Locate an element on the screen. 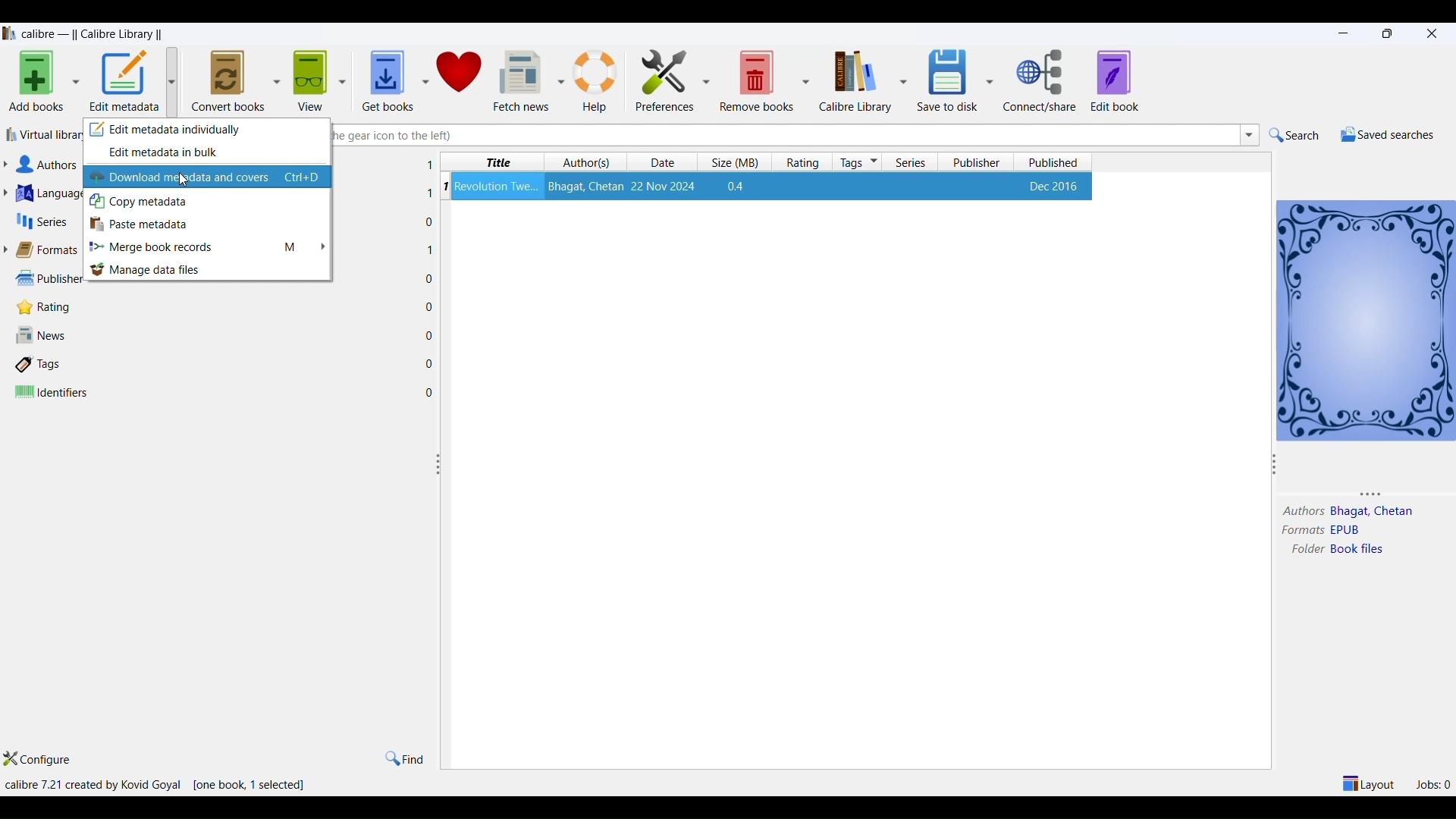 Image resolution: width=1456 pixels, height=819 pixels. 1 is located at coordinates (425, 193).